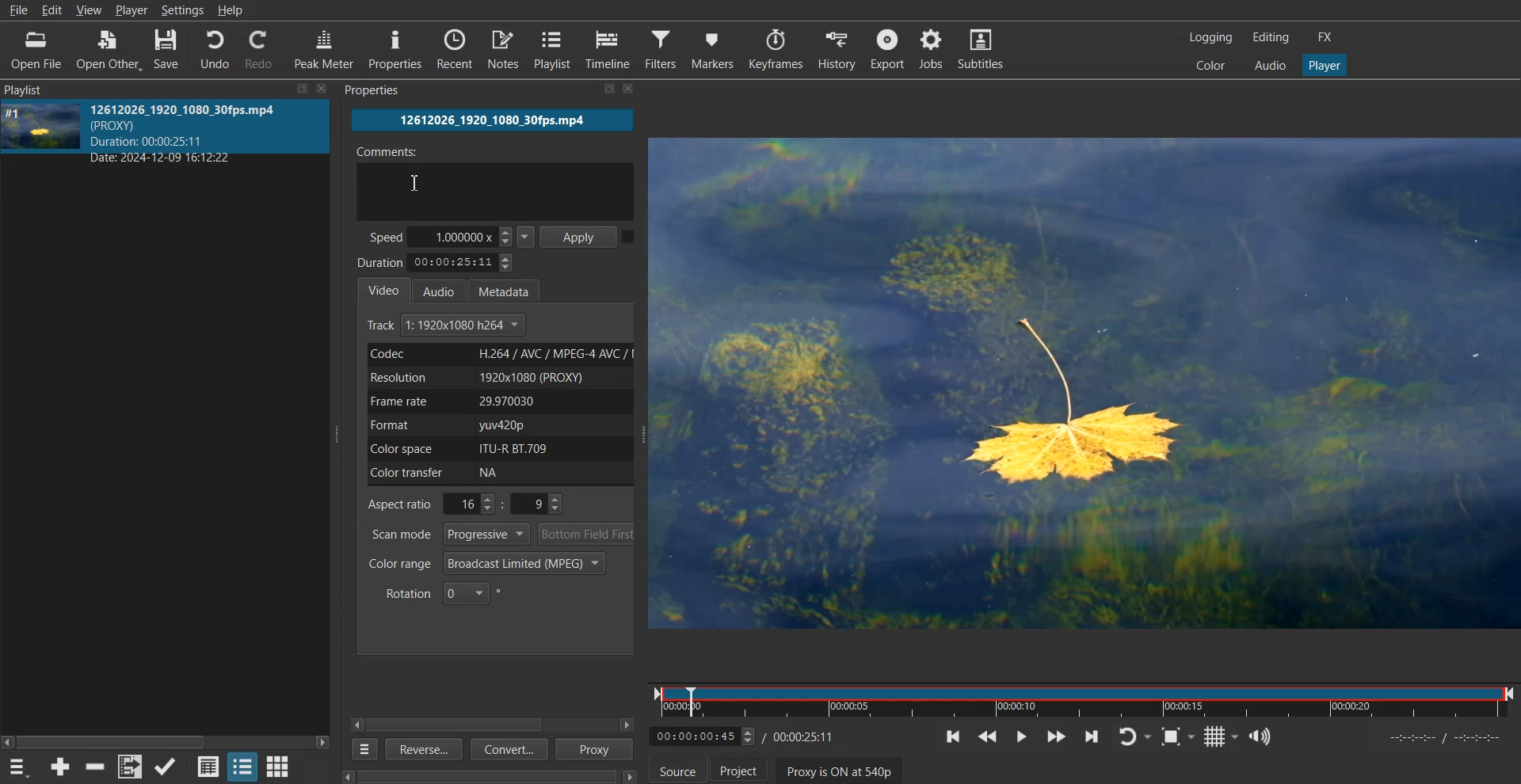  Describe the element at coordinates (200, 133) in the screenshot. I see `MP4 info` at that location.